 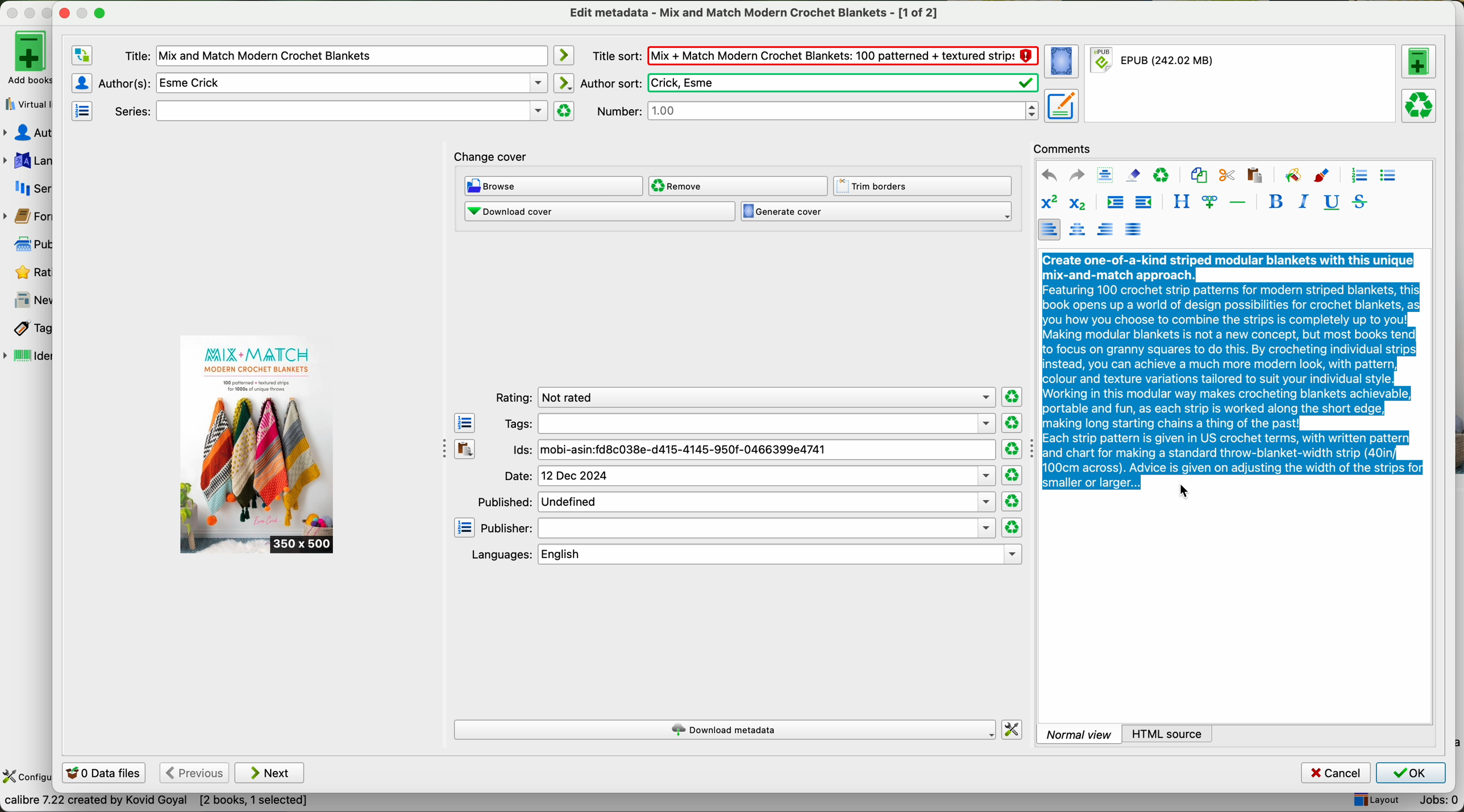 What do you see at coordinates (81, 110) in the screenshot?
I see `set the series manage editor` at bounding box center [81, 110].